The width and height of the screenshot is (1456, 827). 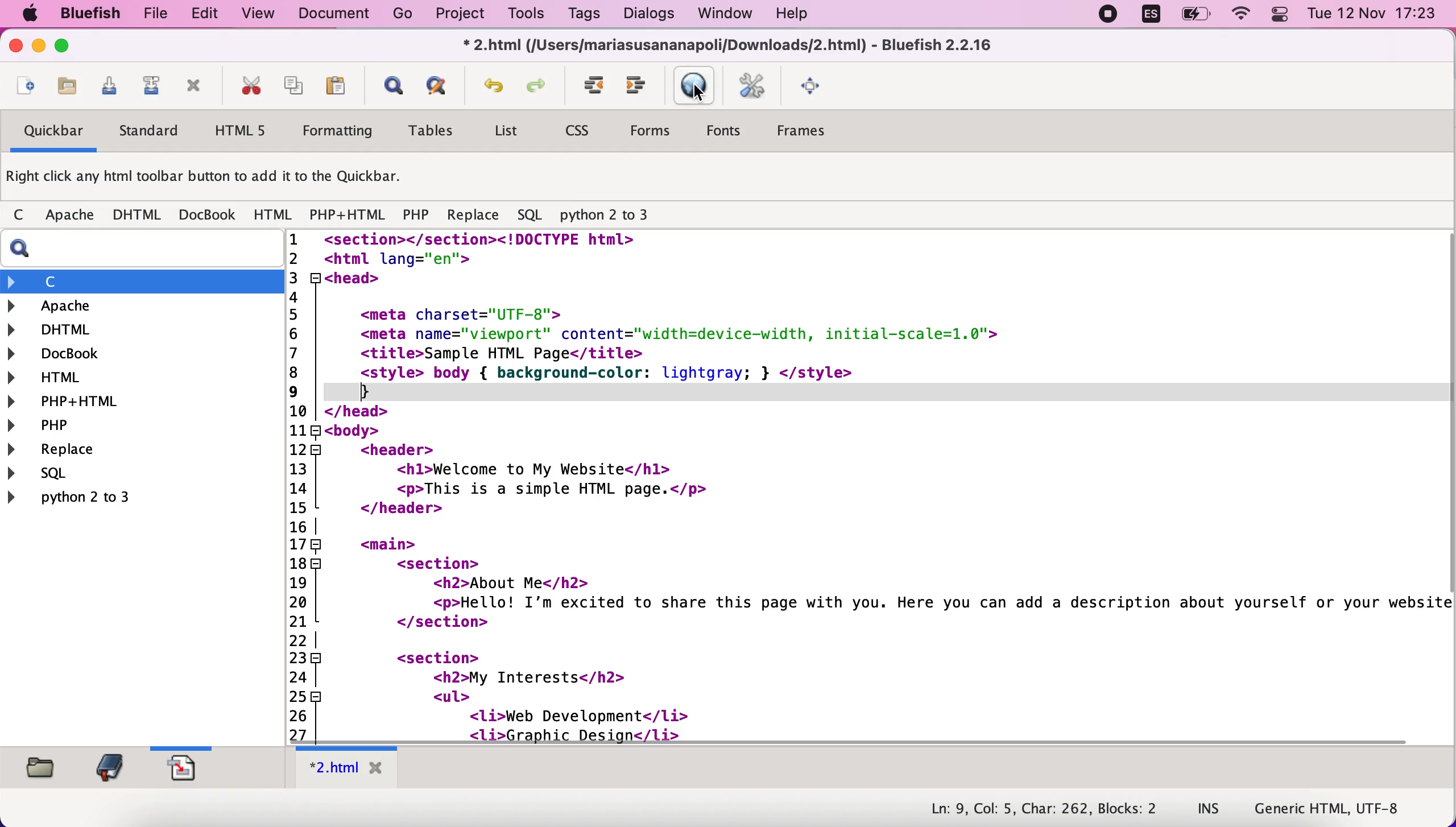 I want to click on unindent, so click(x=642, y=86).